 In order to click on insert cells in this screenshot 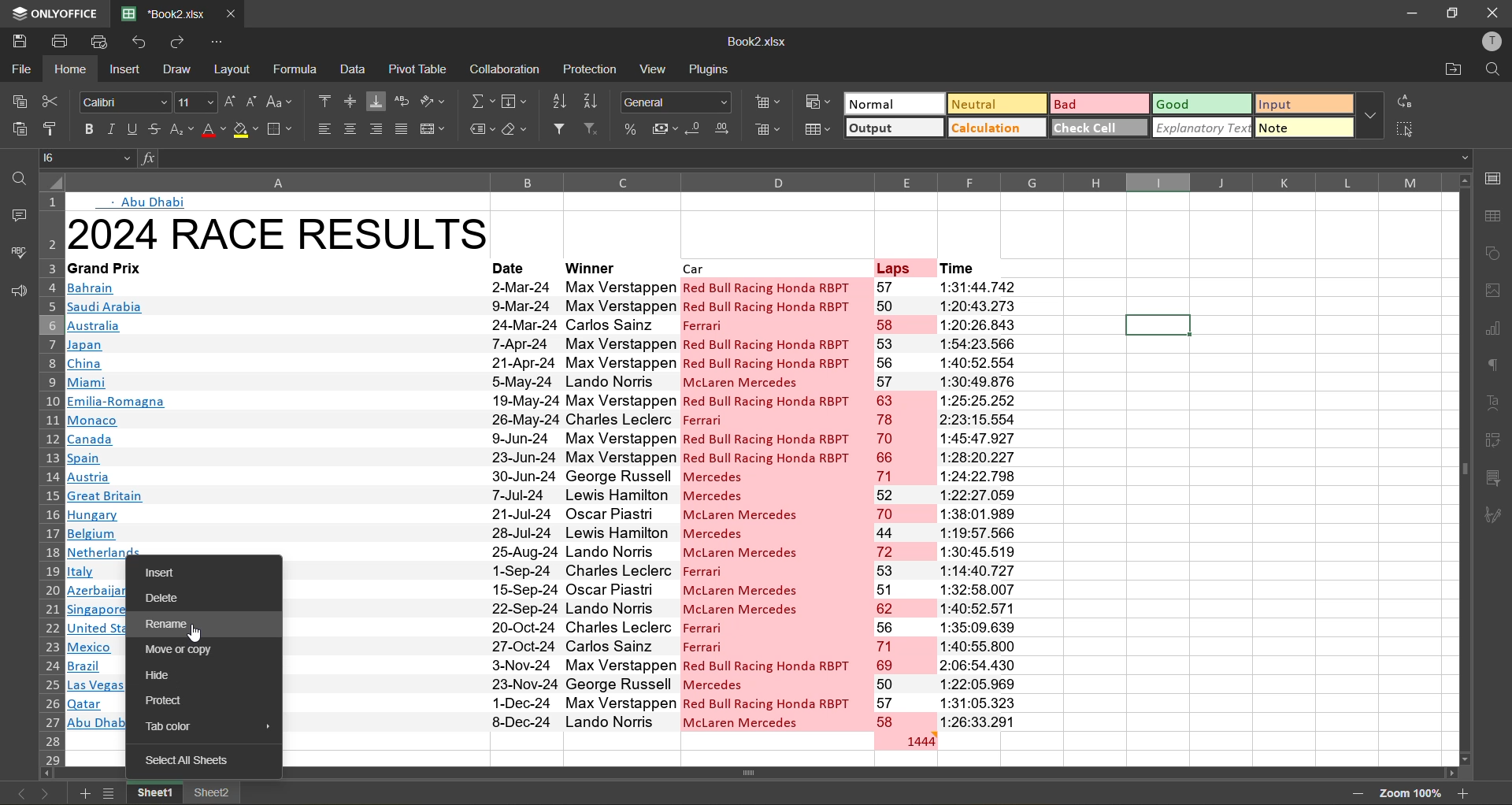, I will do `click(768, 103)`.